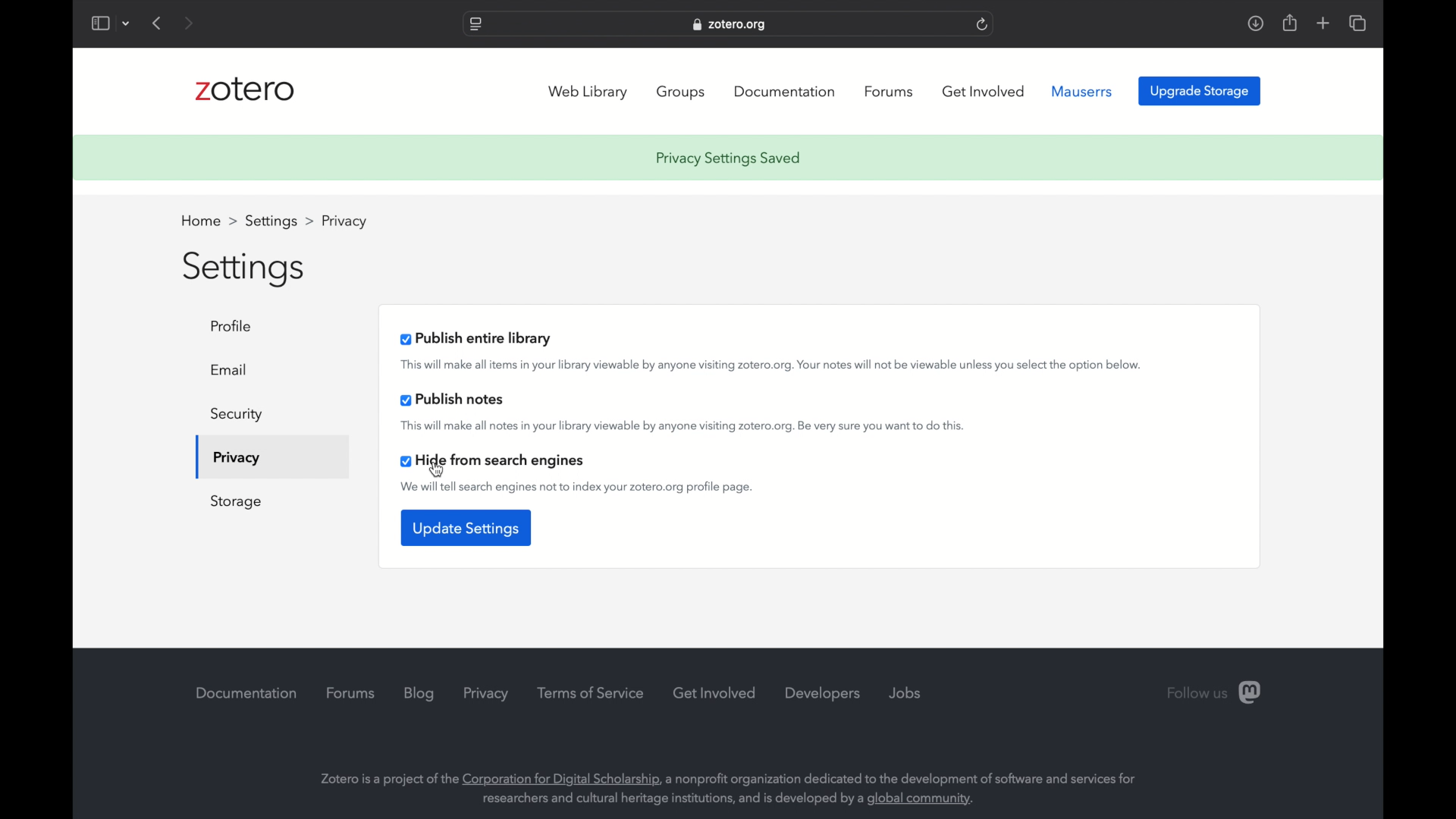 The width and height of the screenshot is (1456, 819). Describe the element at coordinates (787, 91) in the screenshot. I see `documentation` at that location.